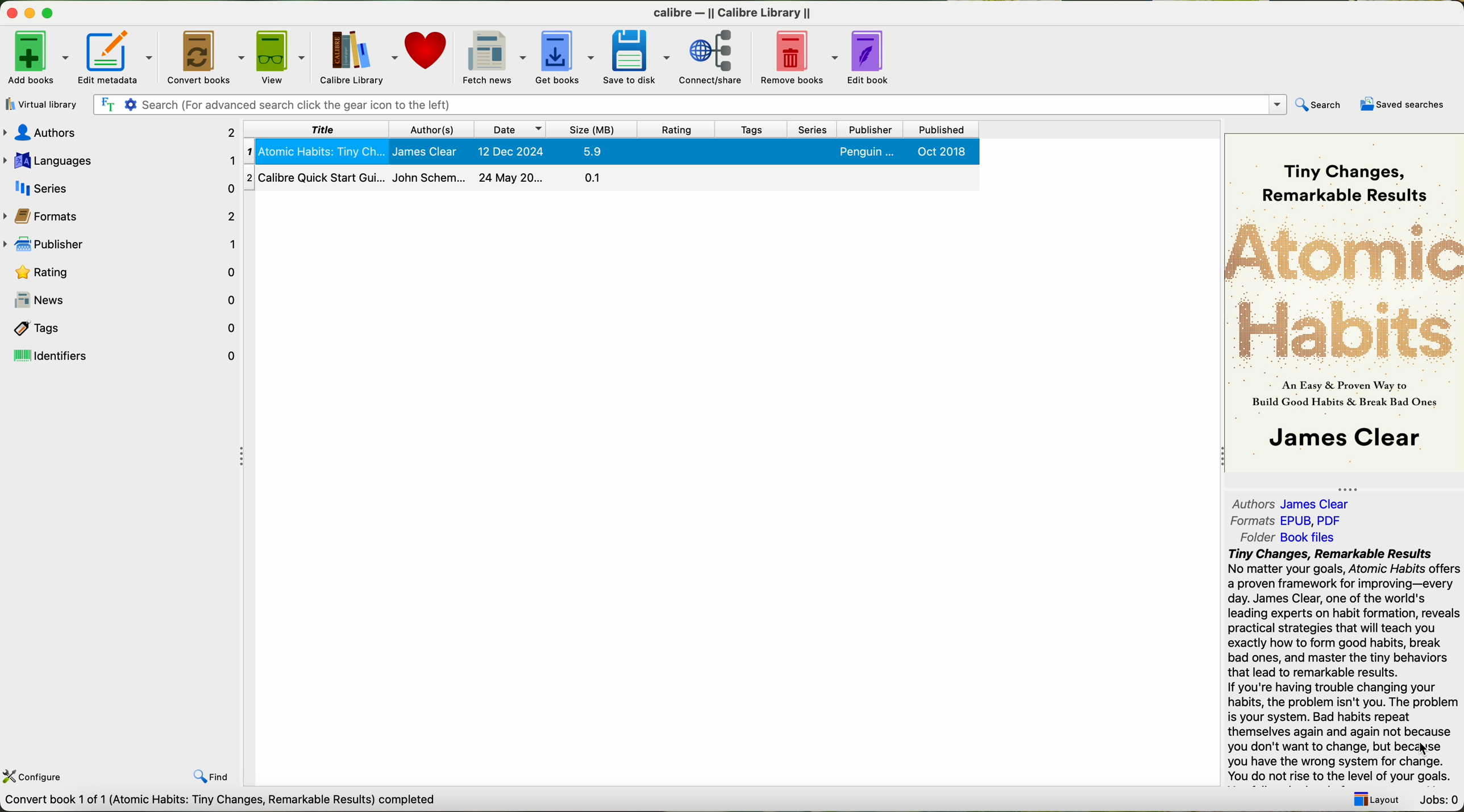  What do you see at coordinates (873, 57) in the screenshot?
I see `edit book` at bounding box center [873, 57].